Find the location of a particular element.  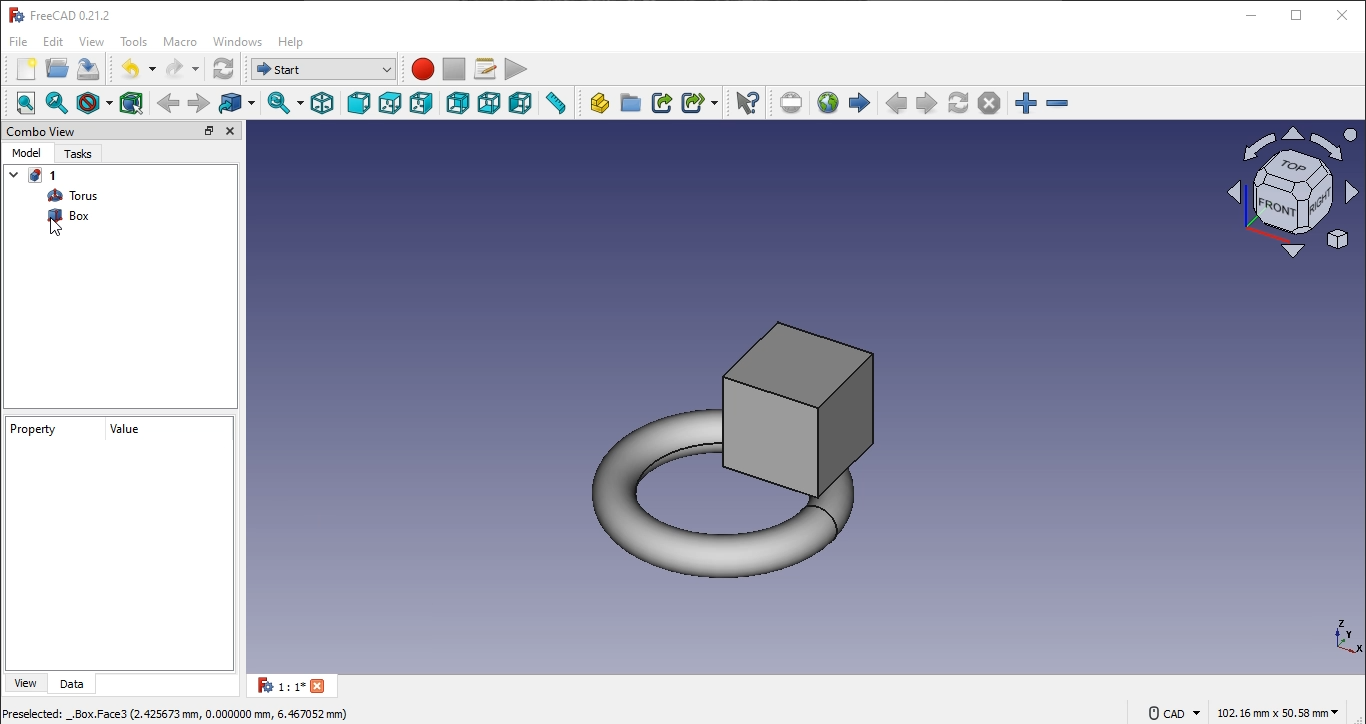

top is located at coordinates (391, 104).